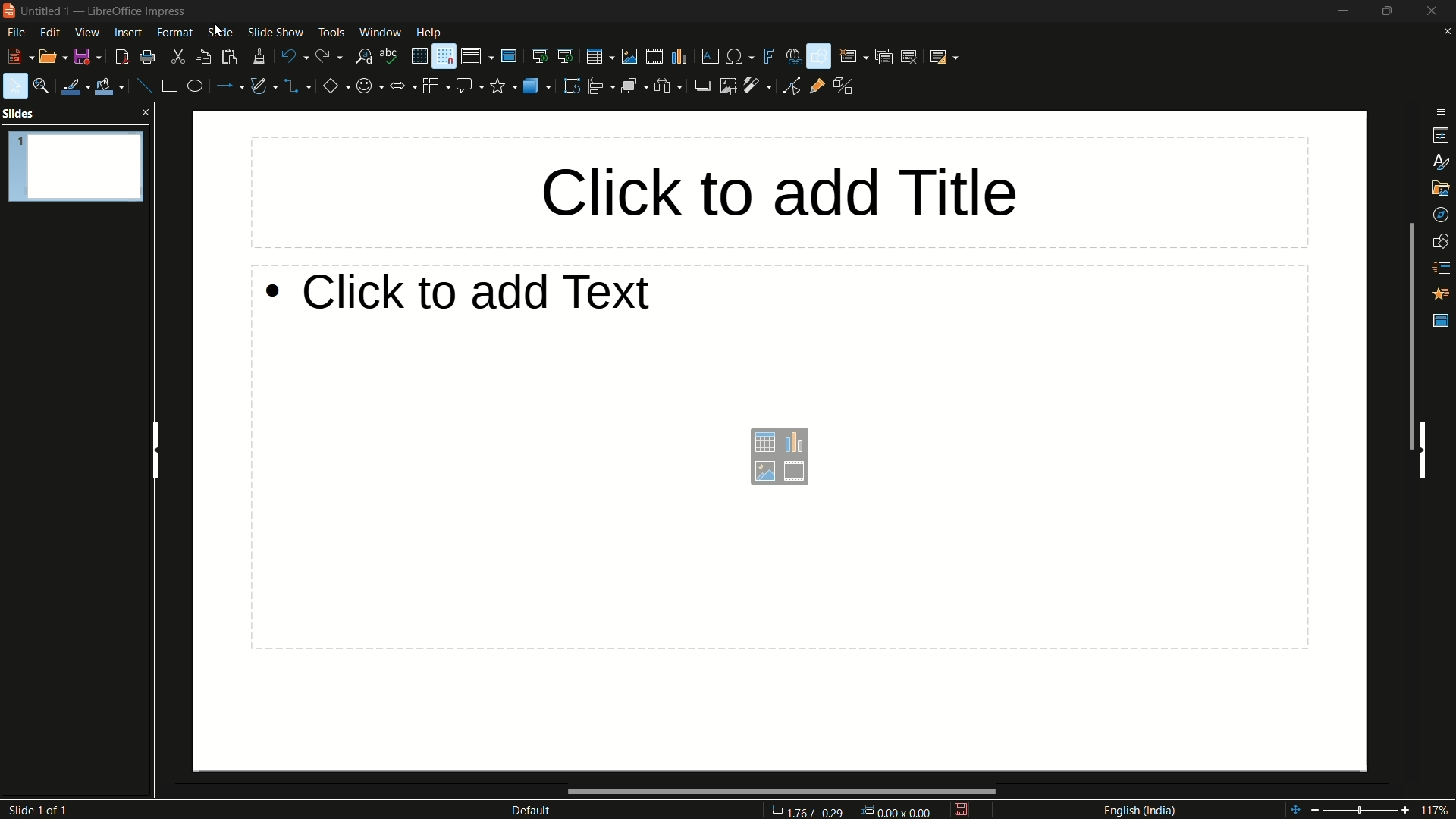 This screenshot has width=1456, height=819. I want to click on select at least 3 objects to distribute, so click(667, 86).